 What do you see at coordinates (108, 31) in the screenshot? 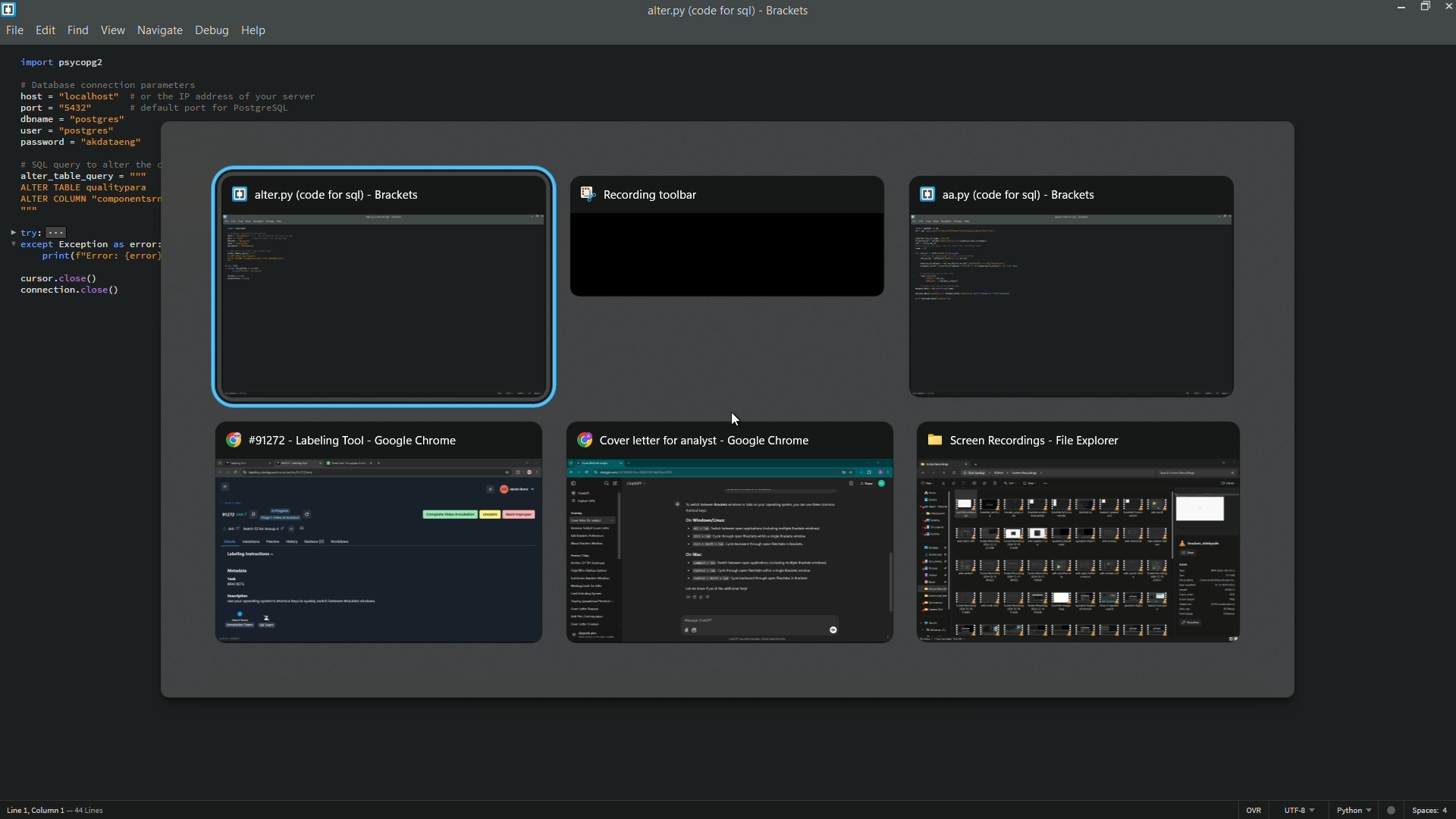
I see `view menu` at bounding box center [108, 31].